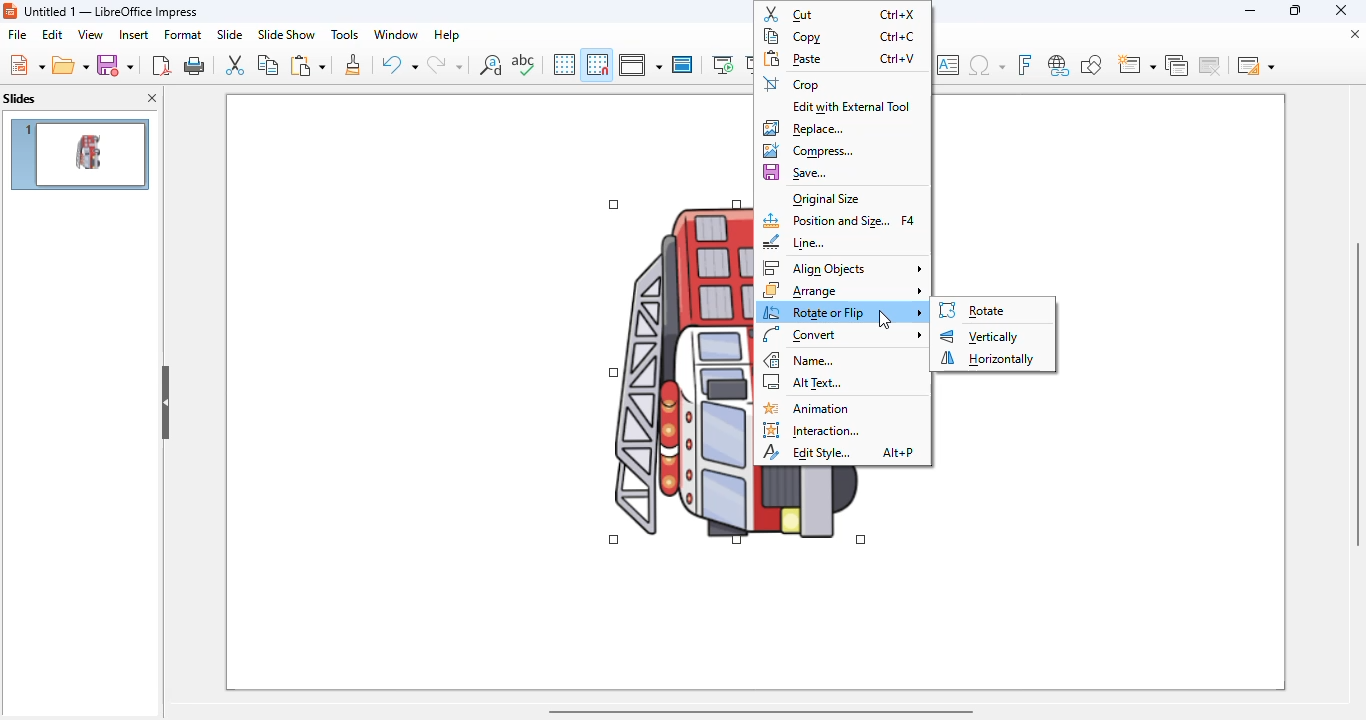 This screenshot has height=720, width=1366. What do you see at coordinates (844, 268) in the screenshot?
I see `align objects` at bounding box center [844, 268].